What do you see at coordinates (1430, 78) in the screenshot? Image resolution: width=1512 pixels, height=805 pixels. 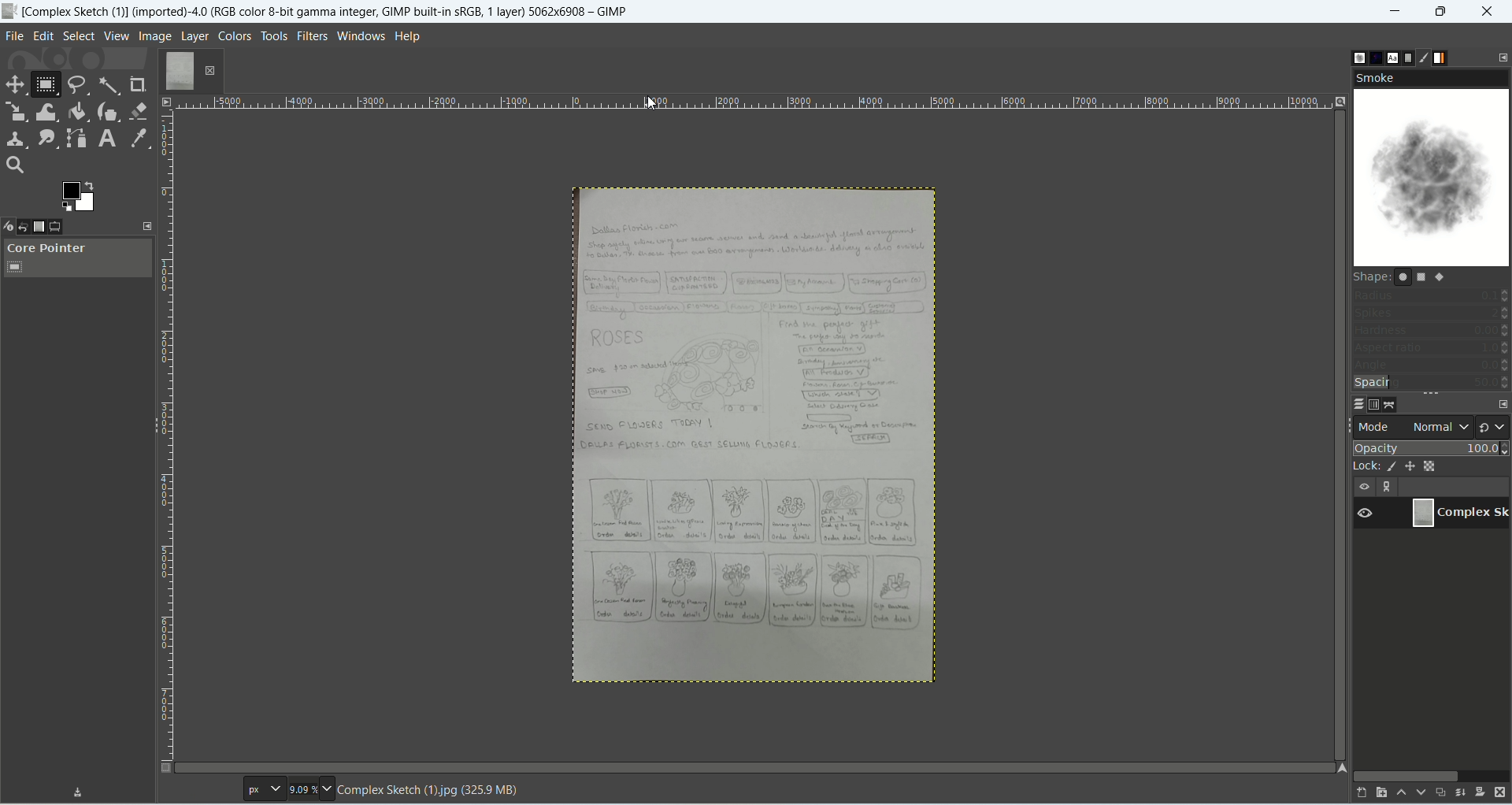 I see `smoke` at bounding box center [1430, 78].